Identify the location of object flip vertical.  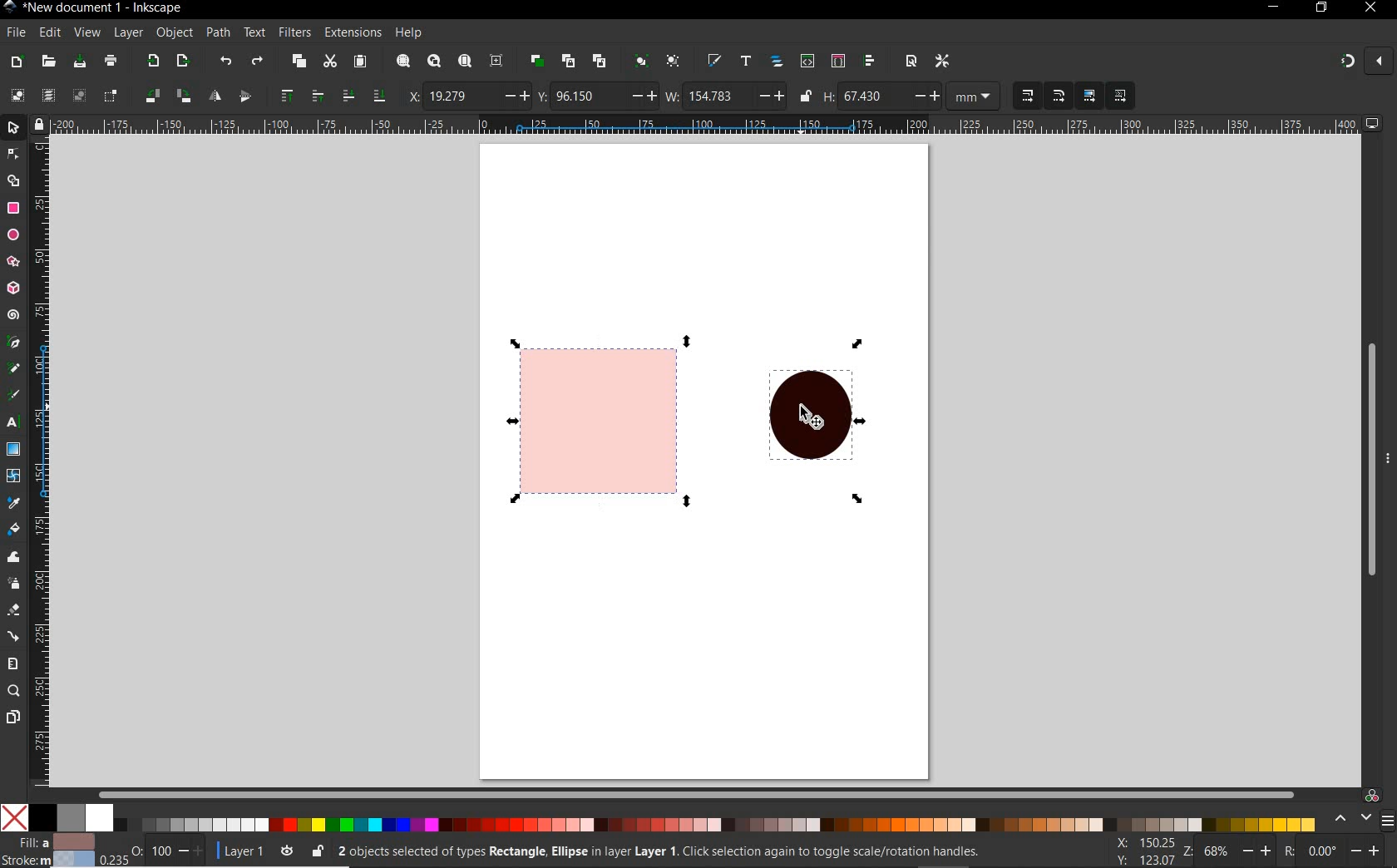
(244, 94).